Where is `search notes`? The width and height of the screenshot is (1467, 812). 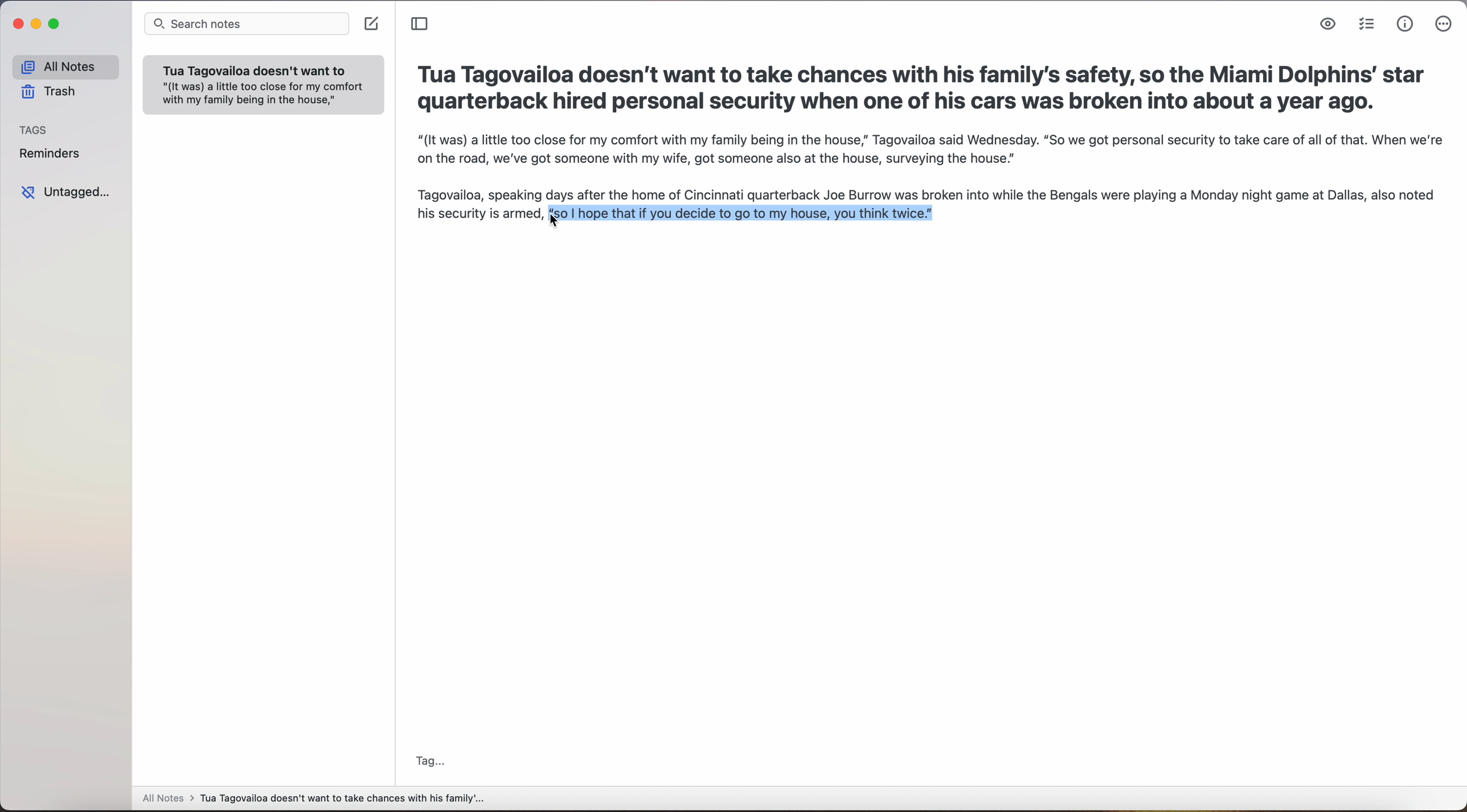
search notes is located at coordinates (247, 24).